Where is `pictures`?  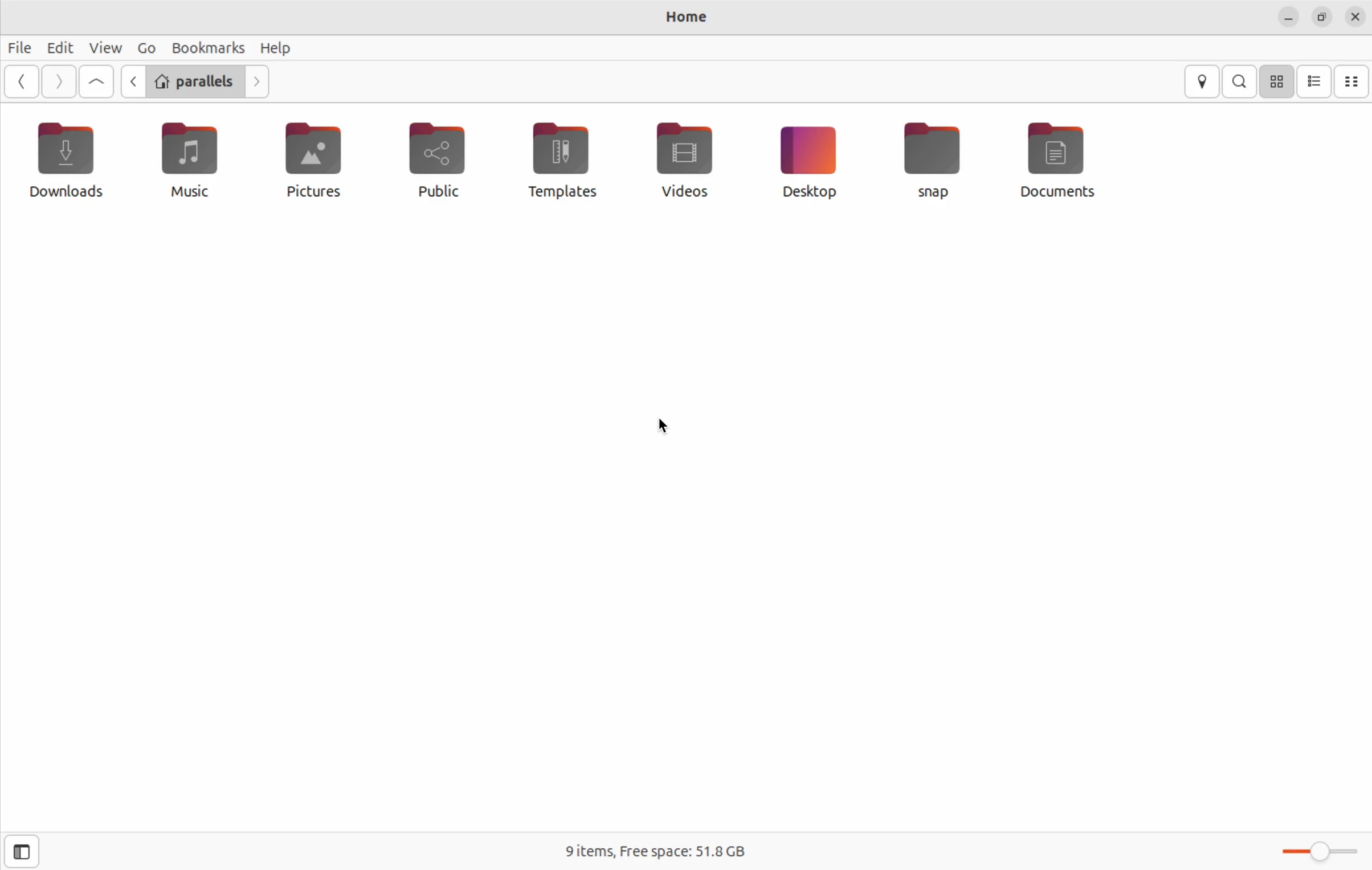
pictures is located at coordinates (312, 159).